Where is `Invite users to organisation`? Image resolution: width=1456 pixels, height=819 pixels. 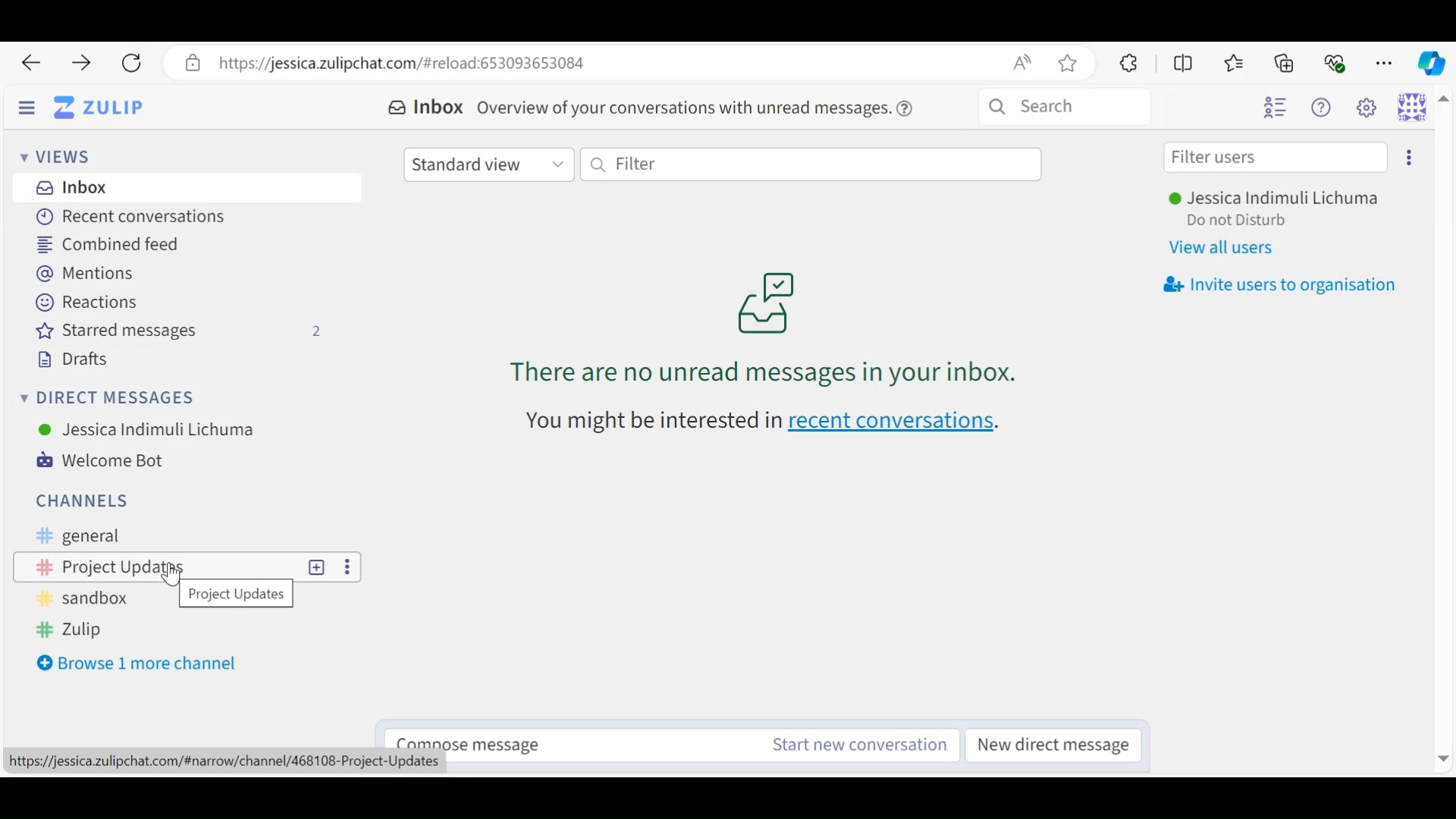 Invite users to organisation is located at coordinates (1408, 158).